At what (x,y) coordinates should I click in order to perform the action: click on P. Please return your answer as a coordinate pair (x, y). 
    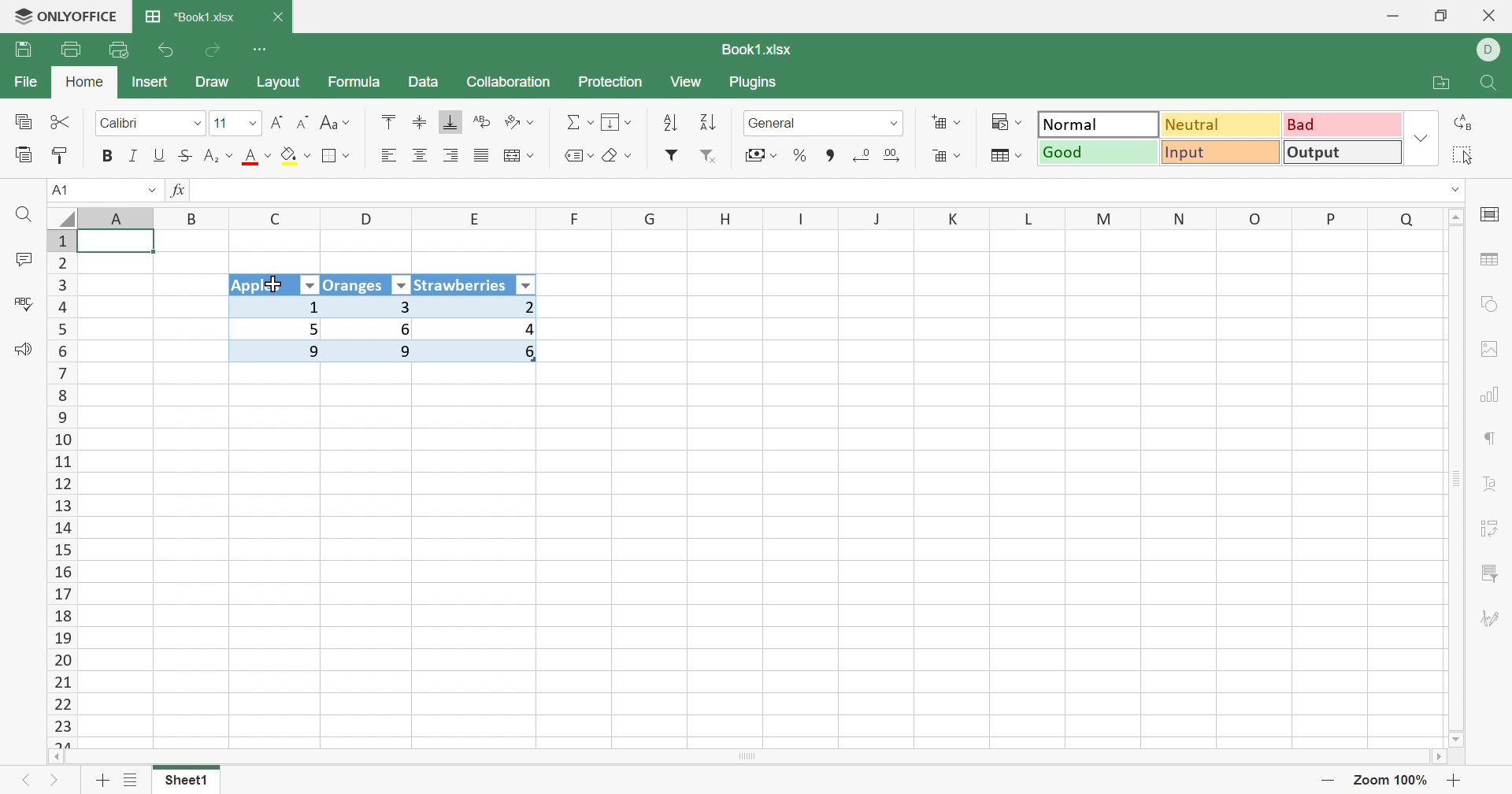
    Looking at the image, I should click on (1332, 217).